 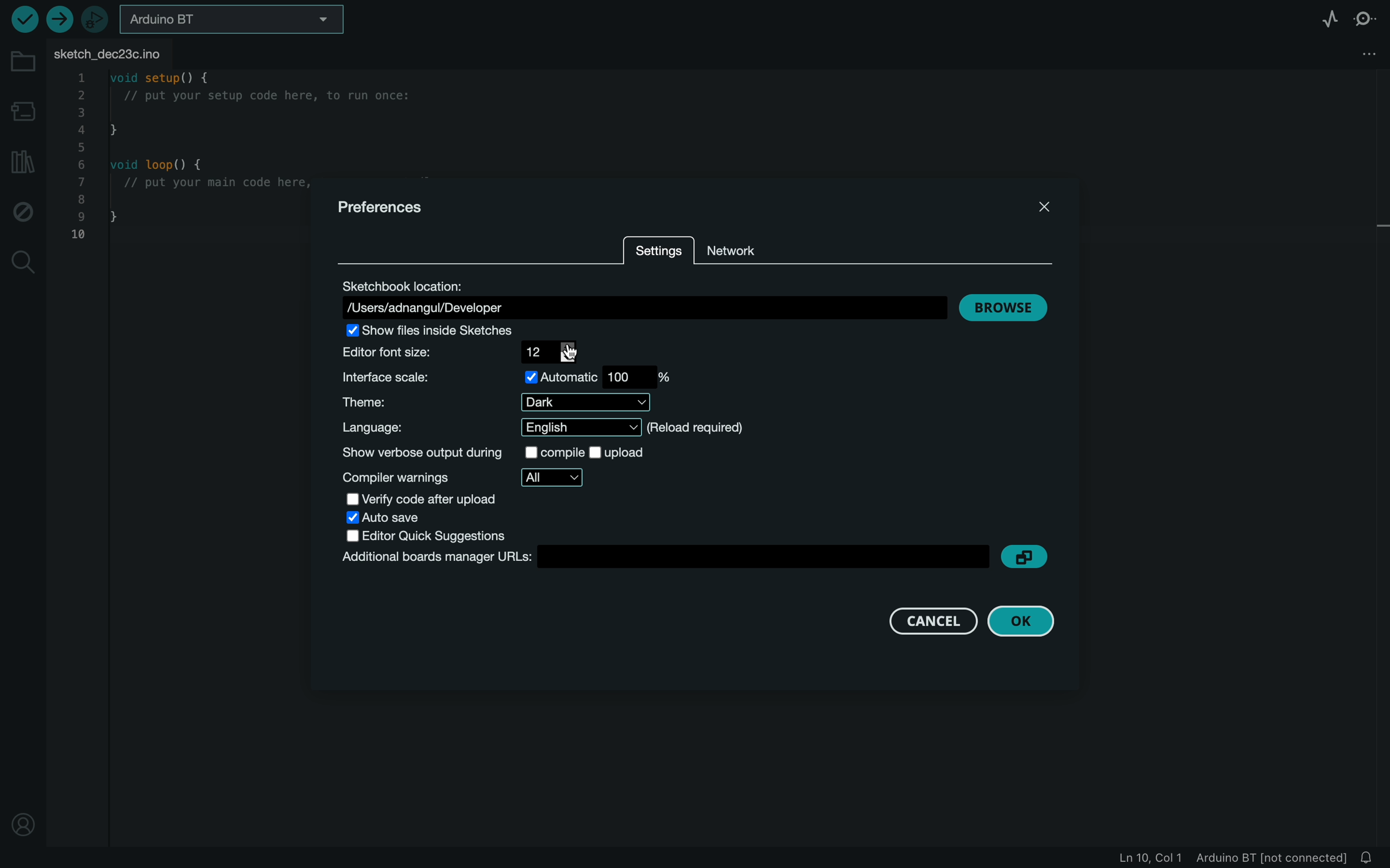 I want to click on debugger, so click(x=95, y=18).